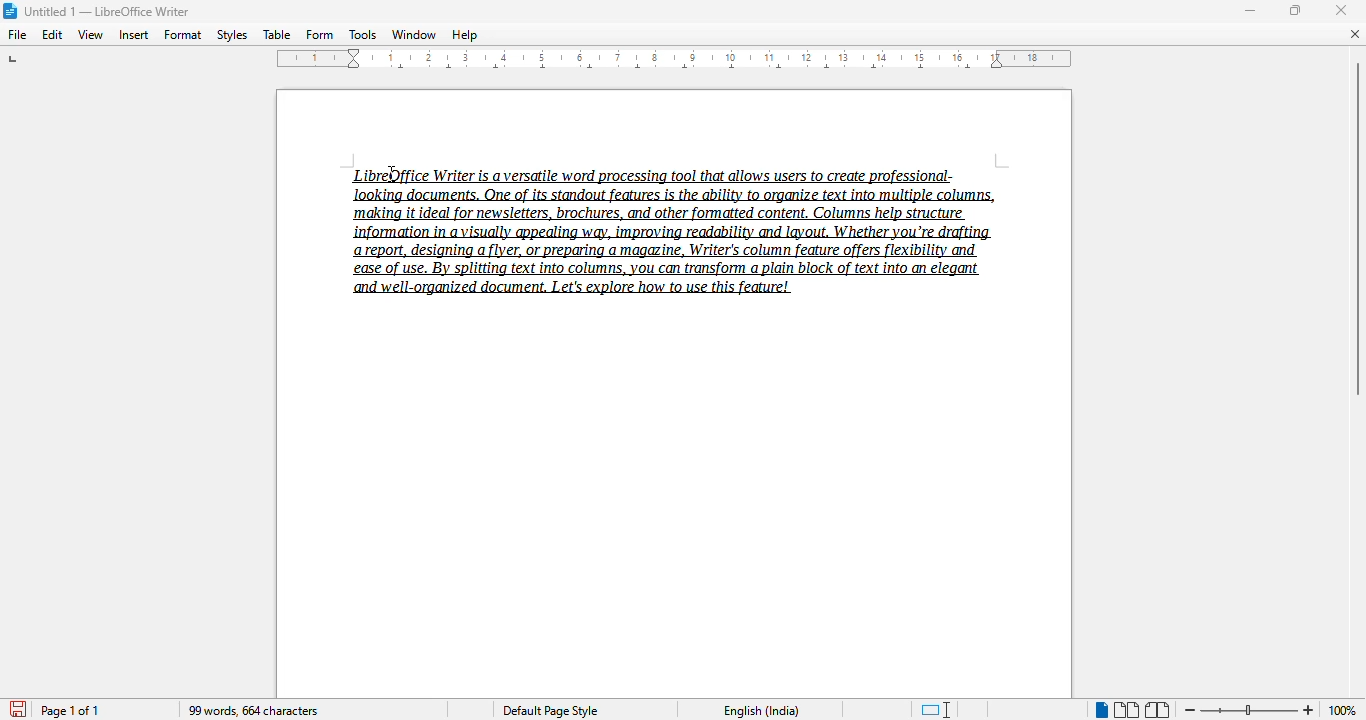  What do you see at coordinates (692, 234) in the screenshot?
I see ` LibreOffice Writer is a versatile word processing tool that allows users to create professional-‘making it ideal for newsletters, brochures, and other formatted content, Columns help structure report, designing a flyer, or preparing a magazine, Writer's column feature offers flexibility and ease of use. By splitting text into columns, you can transform a plain block of text into an elegant and well-organized document. Let's explore how to use this feature!` at bounding box center [692, 234].